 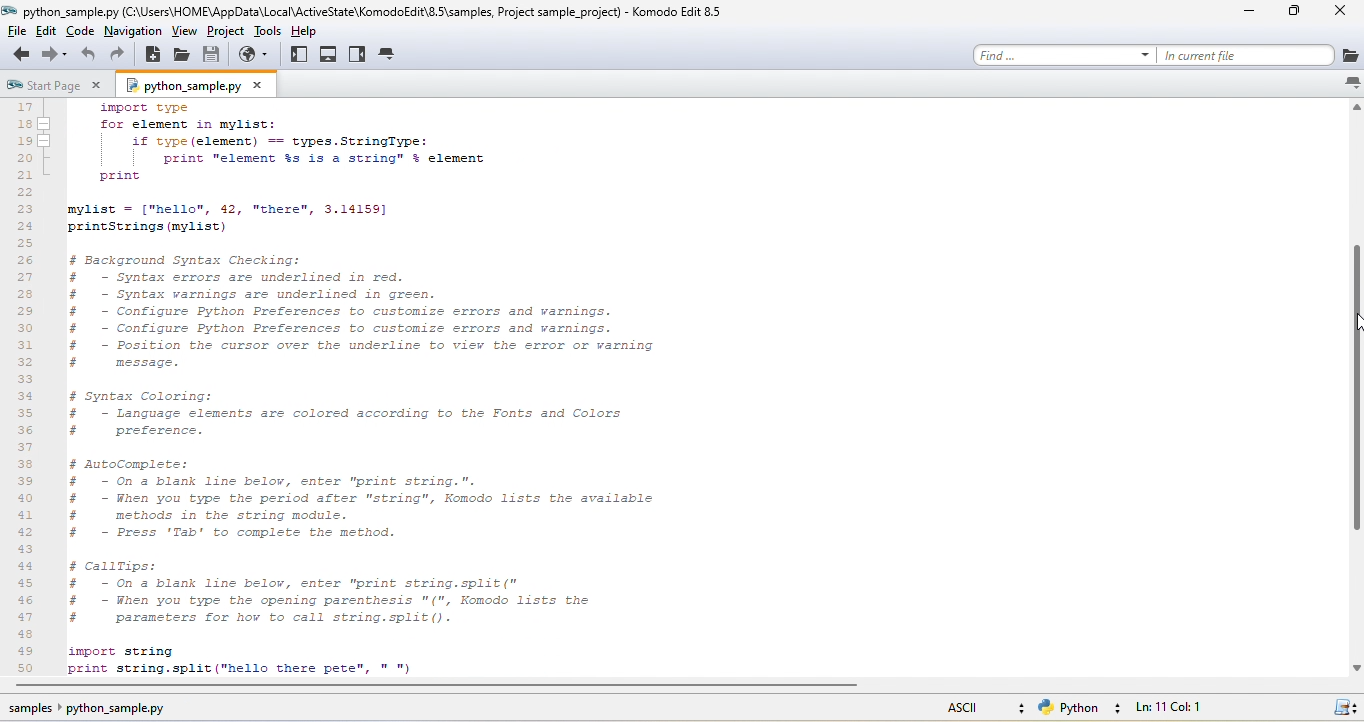 I want to click on tools, so click(x=268, y=31).